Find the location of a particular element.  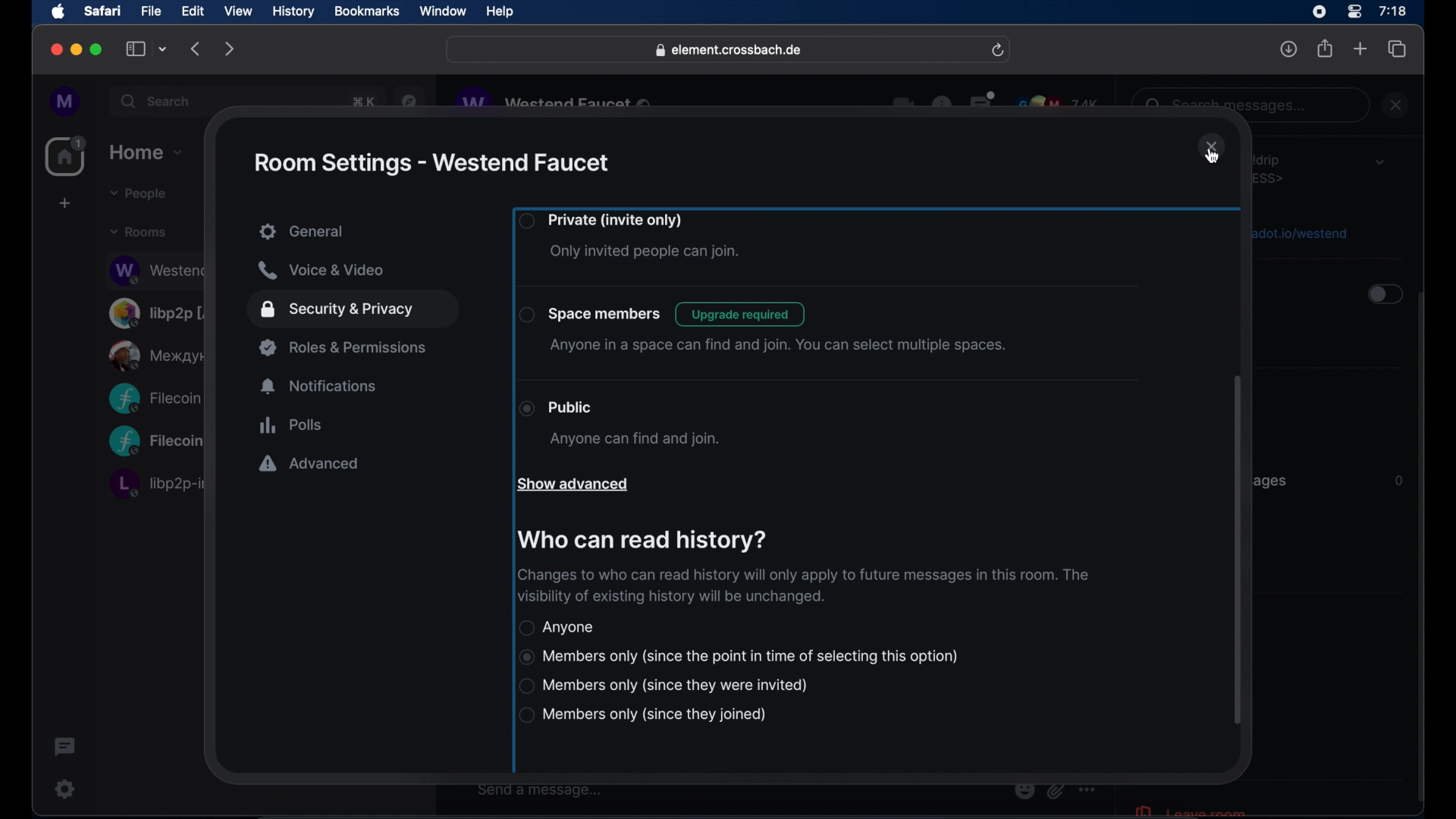

edit is located at coordinates (193, 11).